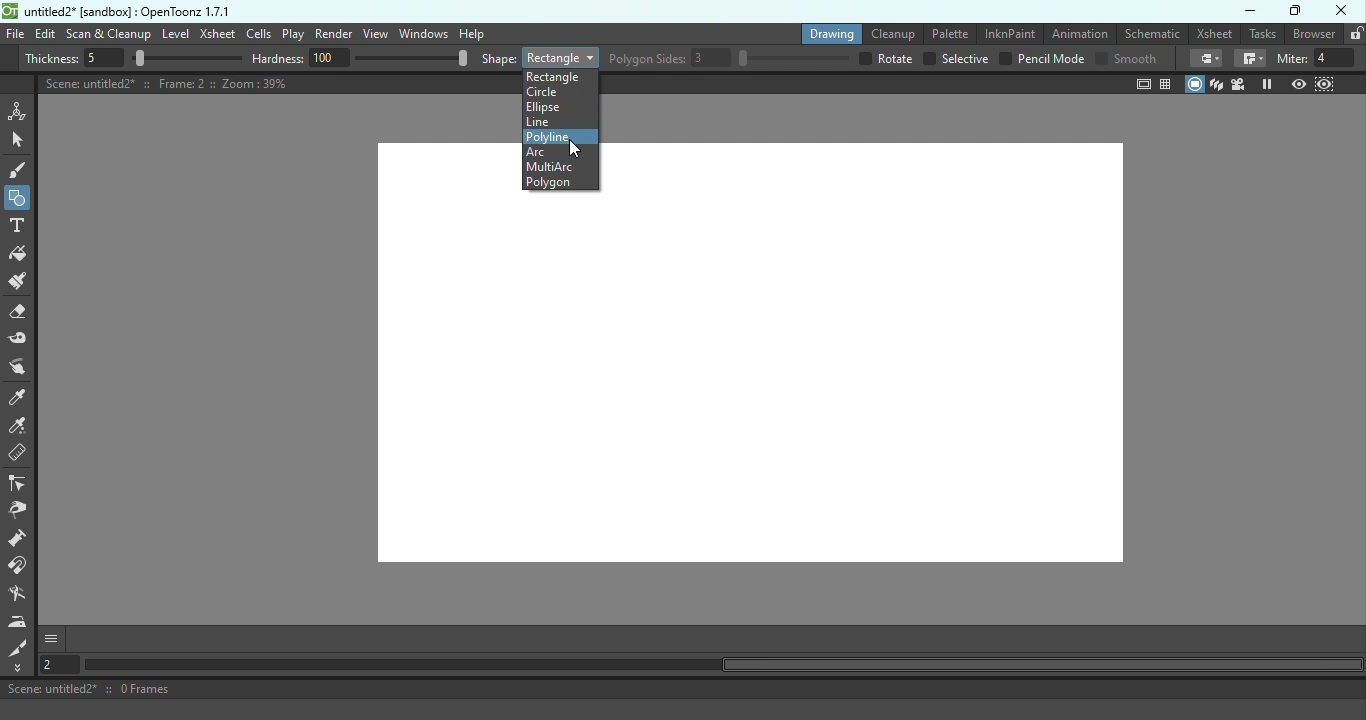  Describe the element at coordinates (539, 122) in the screenshot. I see `Line` at that location.